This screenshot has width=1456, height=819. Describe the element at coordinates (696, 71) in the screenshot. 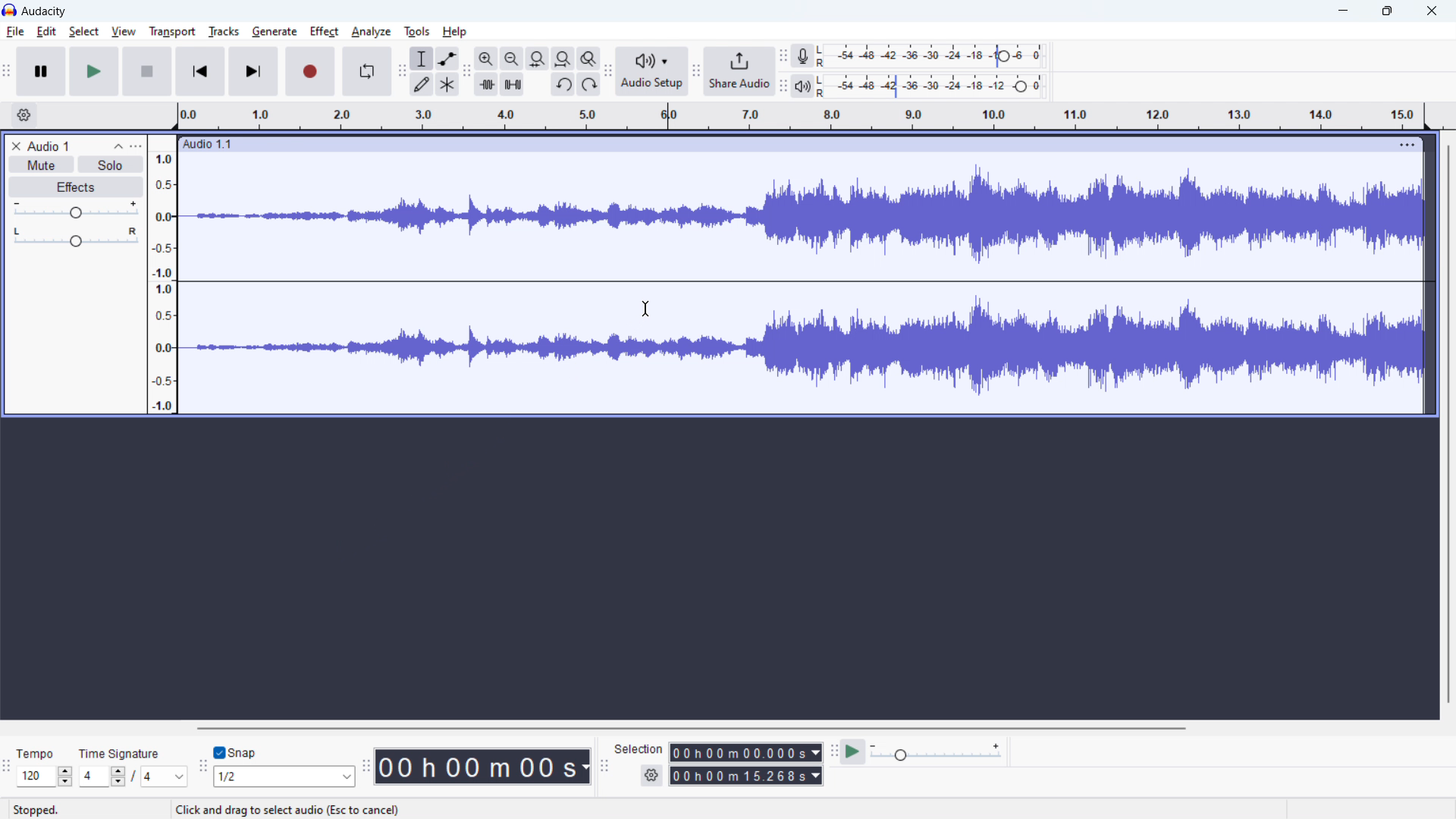

I see `share audio toolbar` at that location.